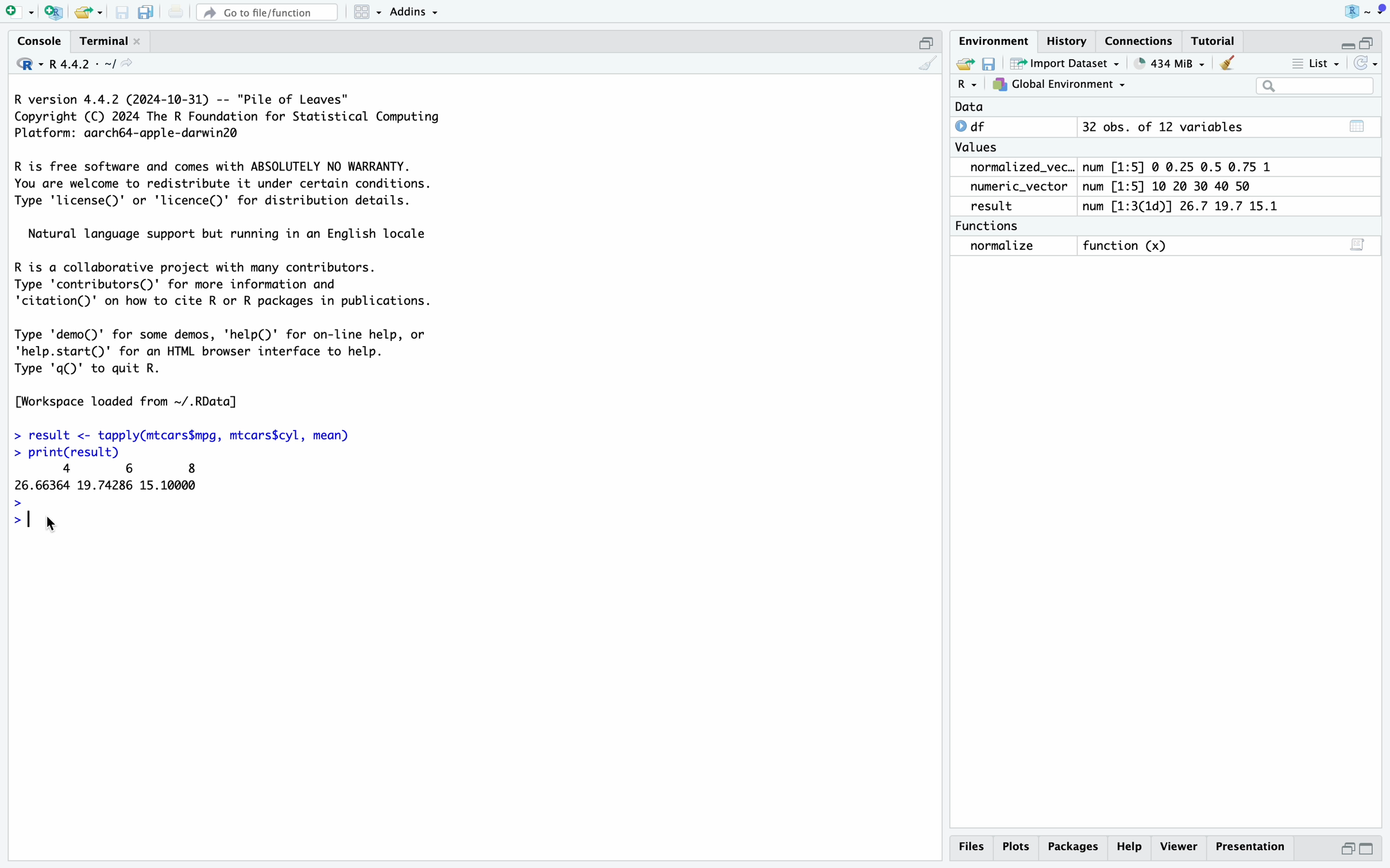 The height and width of the screenshot is (868, 1390). What do you see at coordinates (90, 64) in the screenshot?
I see `R4.4.2 - ~/` at bounding box center [90, 64].